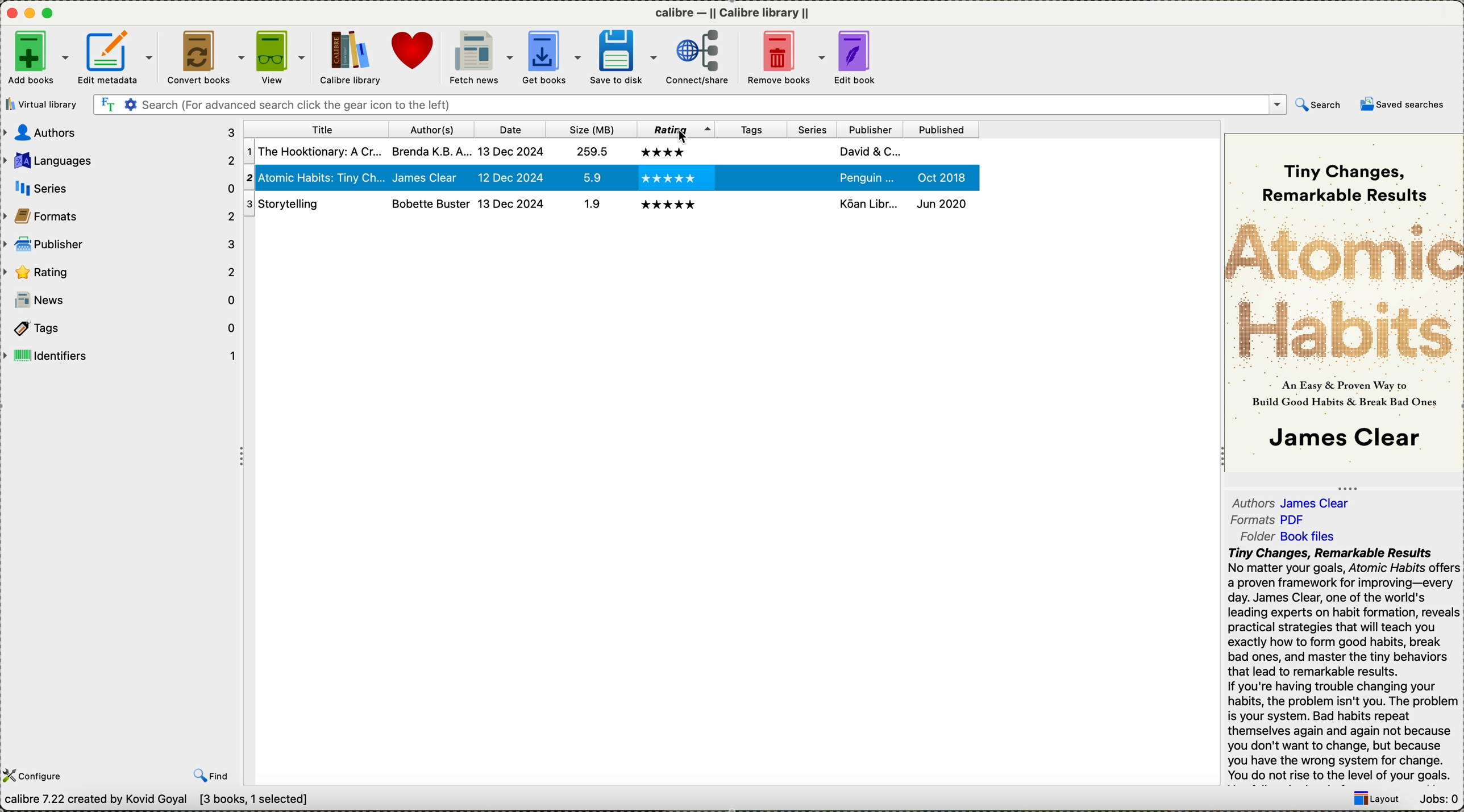  I want to click on maximize, so click(50, 14).